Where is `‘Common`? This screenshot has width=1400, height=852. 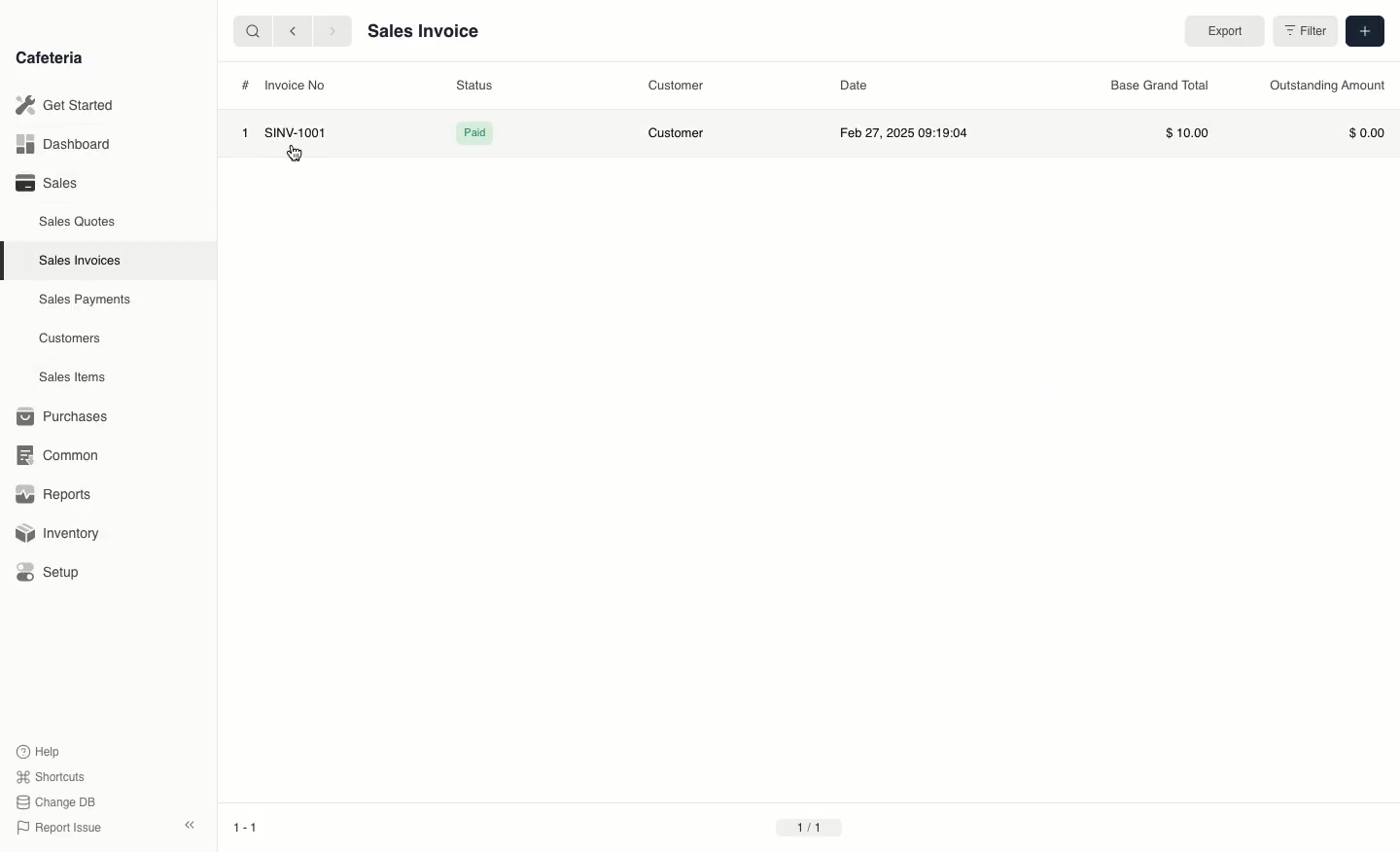 ‘Common is located at coordinates (58, 454).